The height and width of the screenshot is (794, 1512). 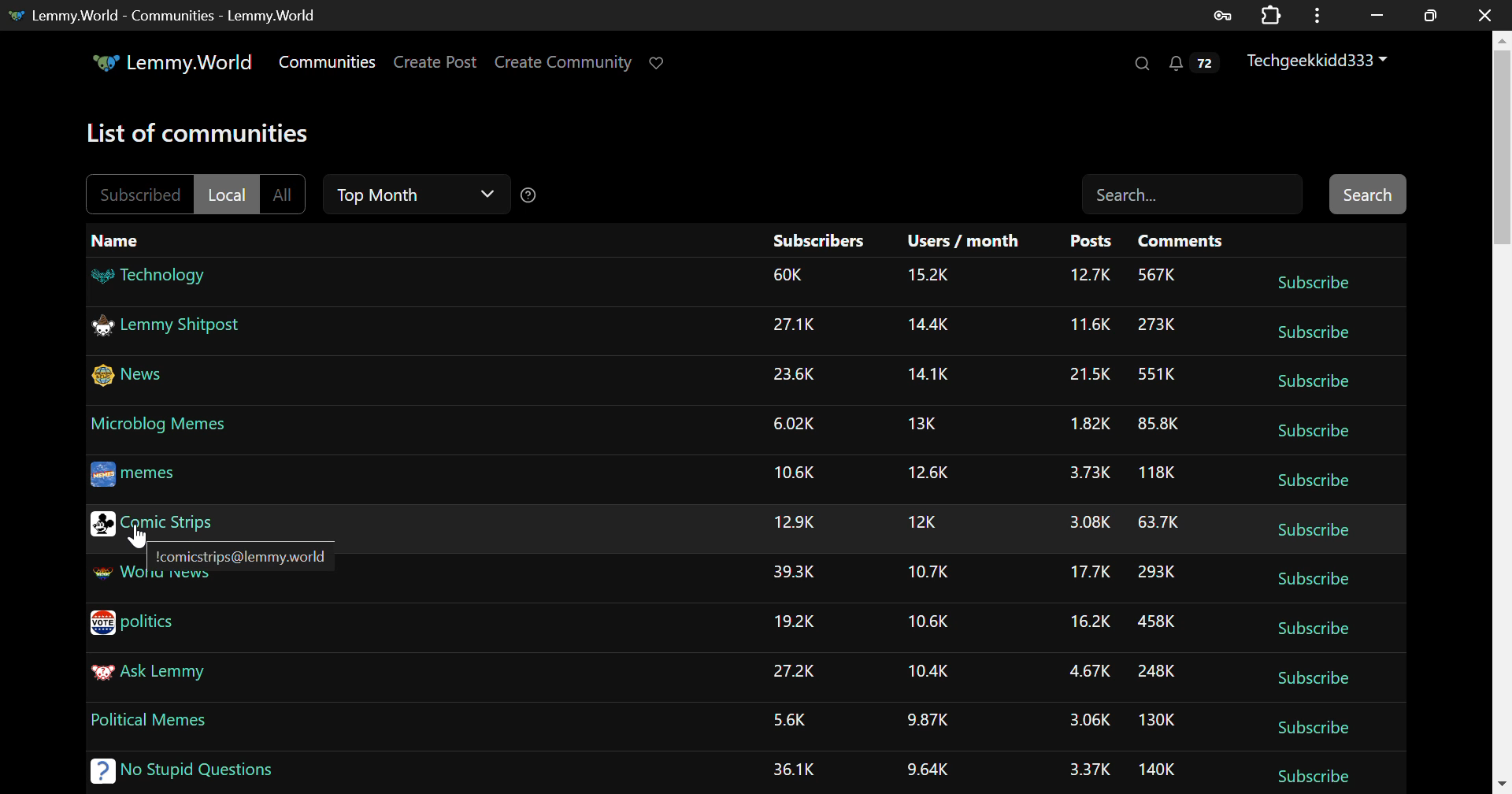 What do you see at coordinates (1180, 242) in the screenshot?
I see `Comments` at bounding box center [1180, 242].